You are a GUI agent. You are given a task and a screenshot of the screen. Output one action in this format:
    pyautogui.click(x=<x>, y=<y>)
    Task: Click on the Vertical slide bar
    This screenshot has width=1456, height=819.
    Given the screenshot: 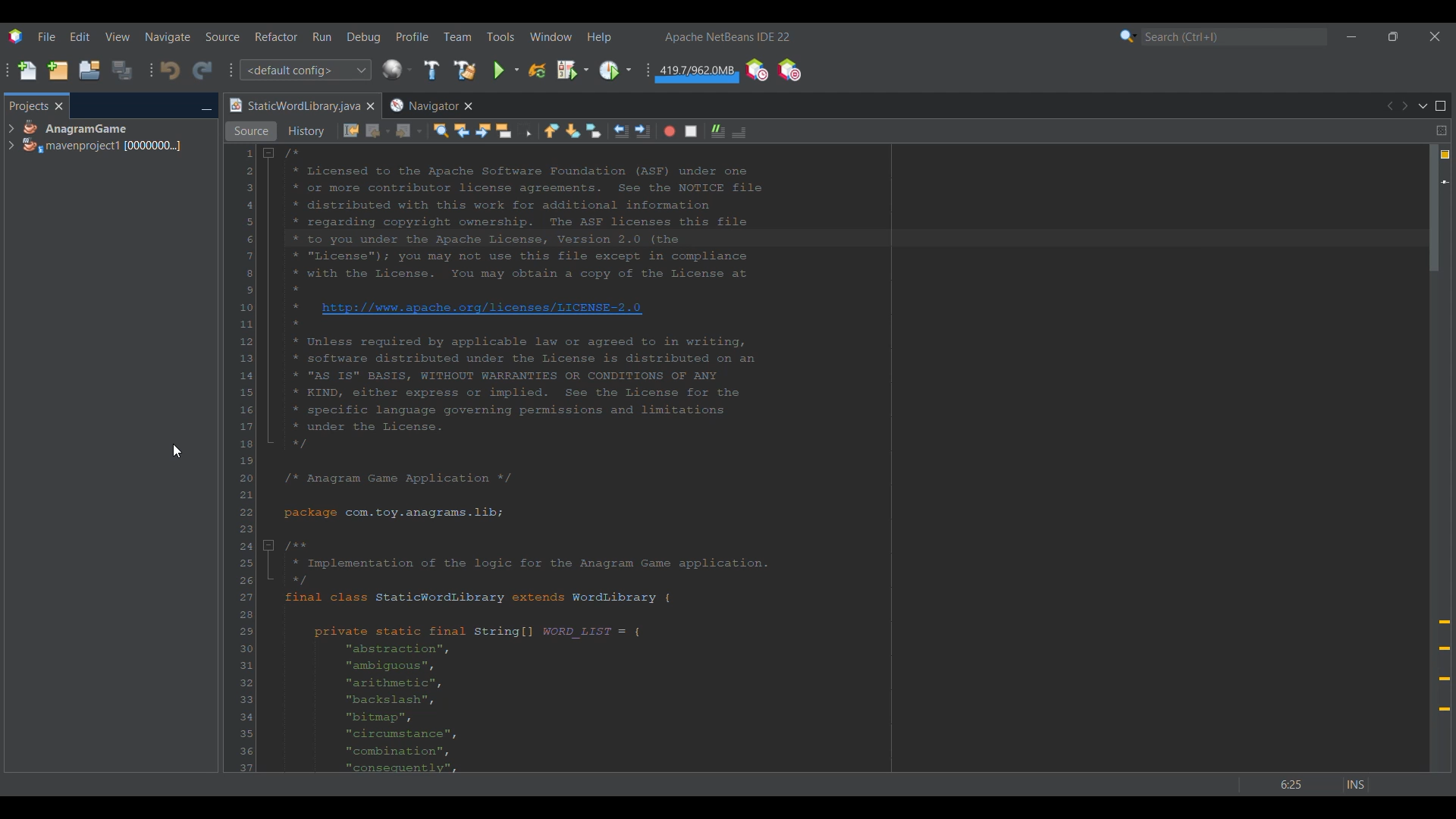 What is the action you would take?
    pyautogui.click(x=1434, y=458)
    